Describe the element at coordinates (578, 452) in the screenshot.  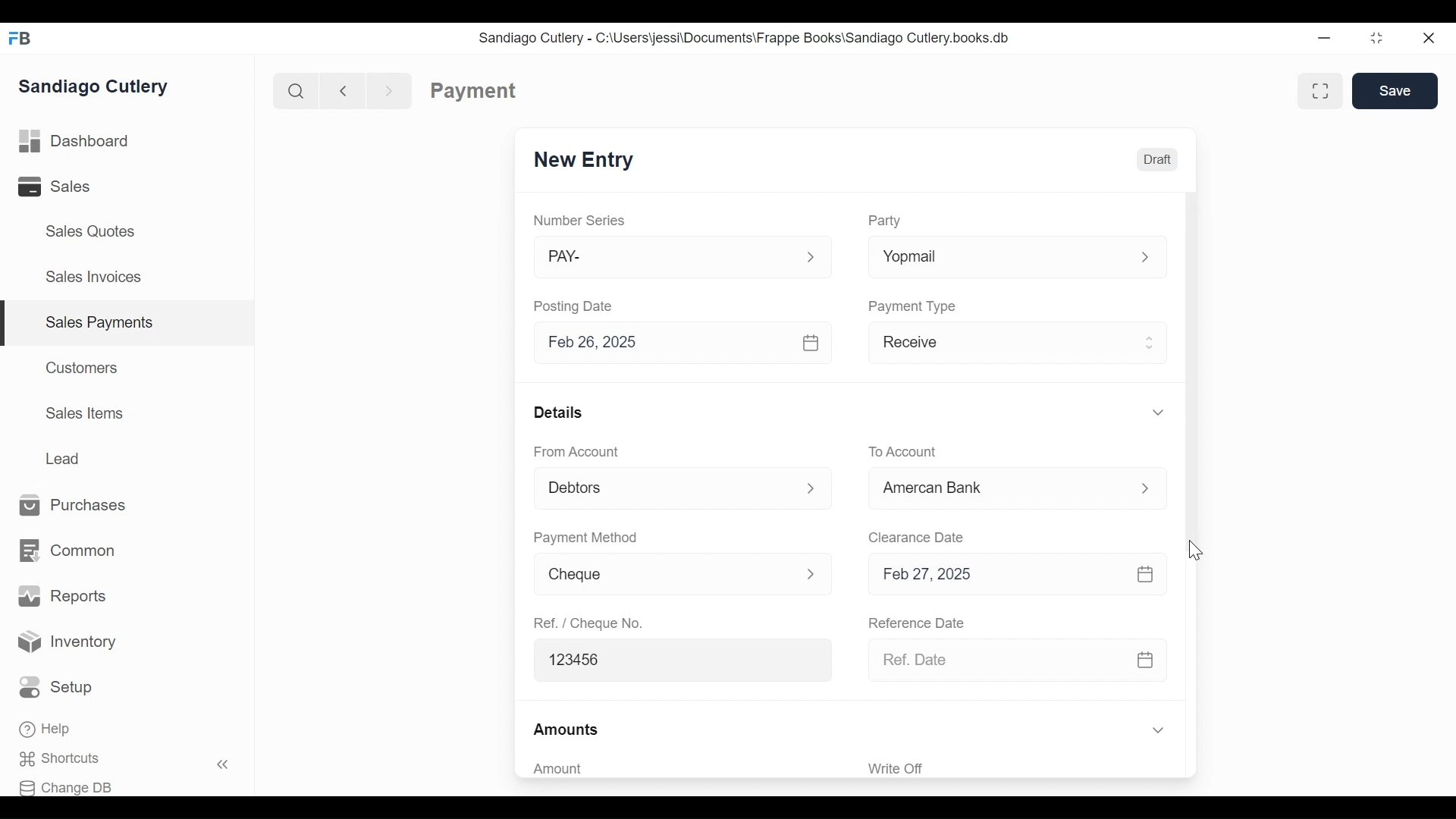
I see `From Account` at that location.